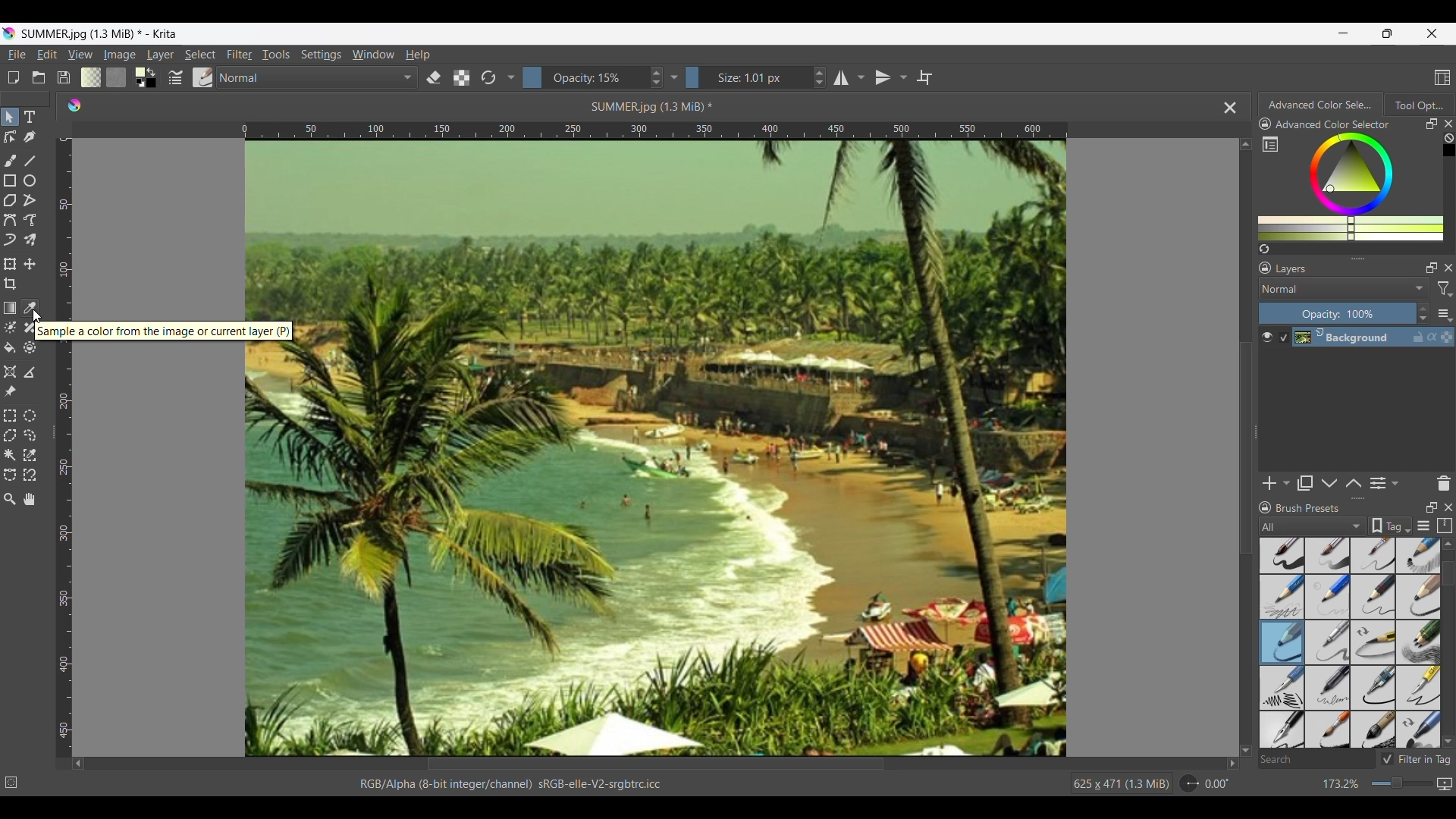 This screenshot has width=1456, height=819. What do you see at coordinates (151, 72) in the screenshot?
I see `Swap color` at bounding box center [151, 72].